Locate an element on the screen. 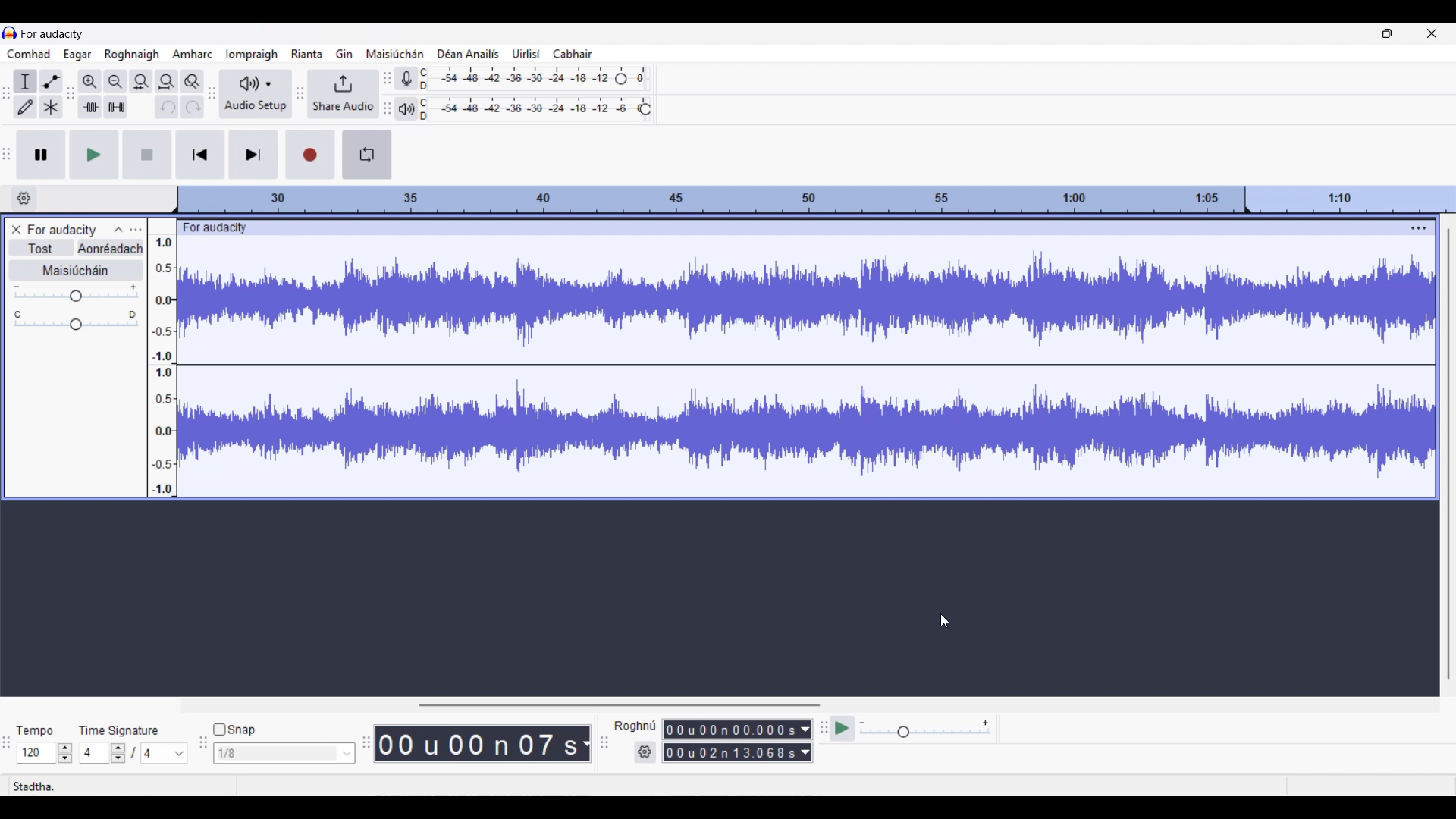 The width and height of the screenshot is (1456, 819). Playback meter is located at coordinates (405, 108).